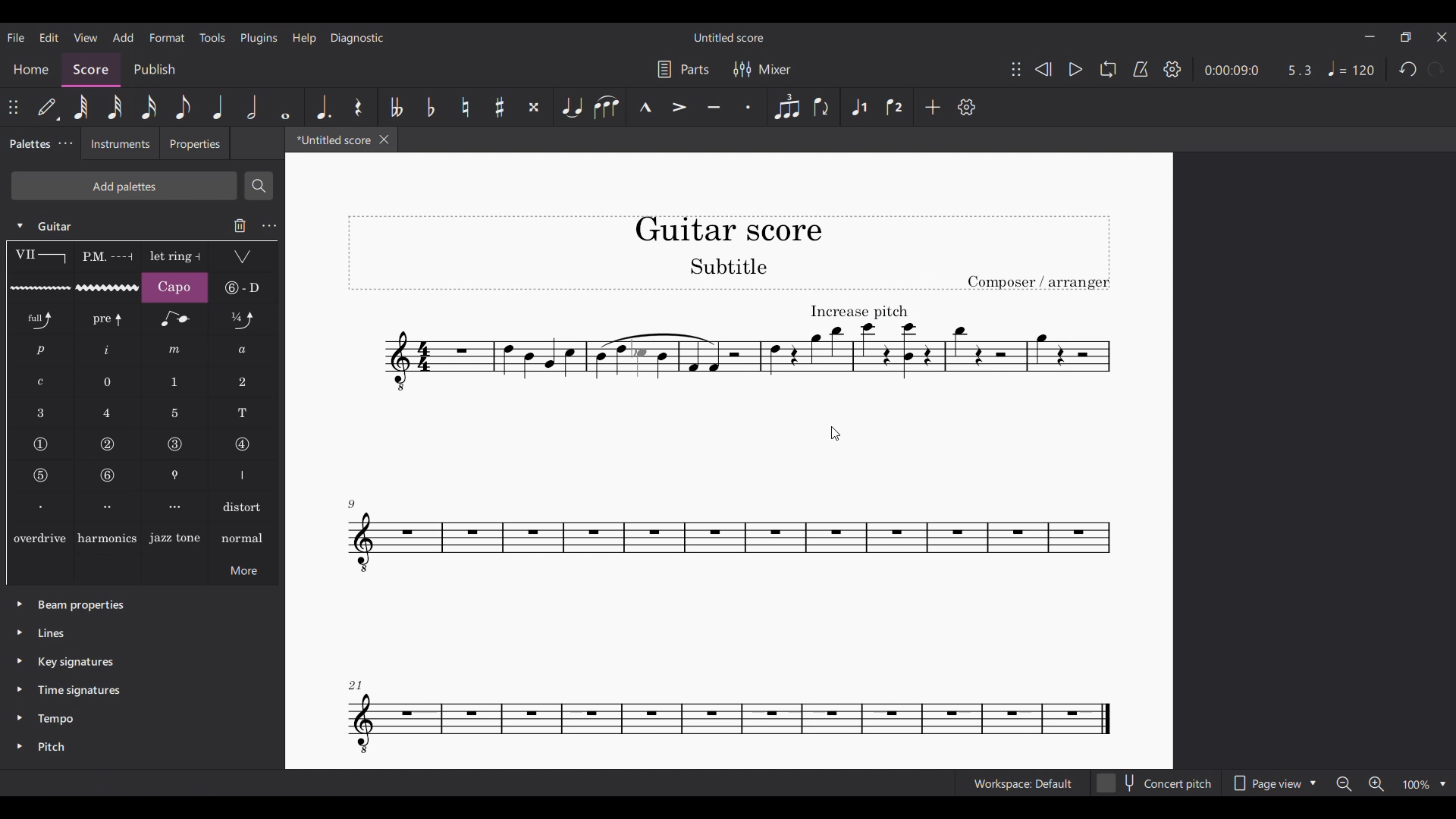 The image size is (1456, 819). Describe the element at coordinates (304, 39) in the screenshot. I see `Help menu` at that location.